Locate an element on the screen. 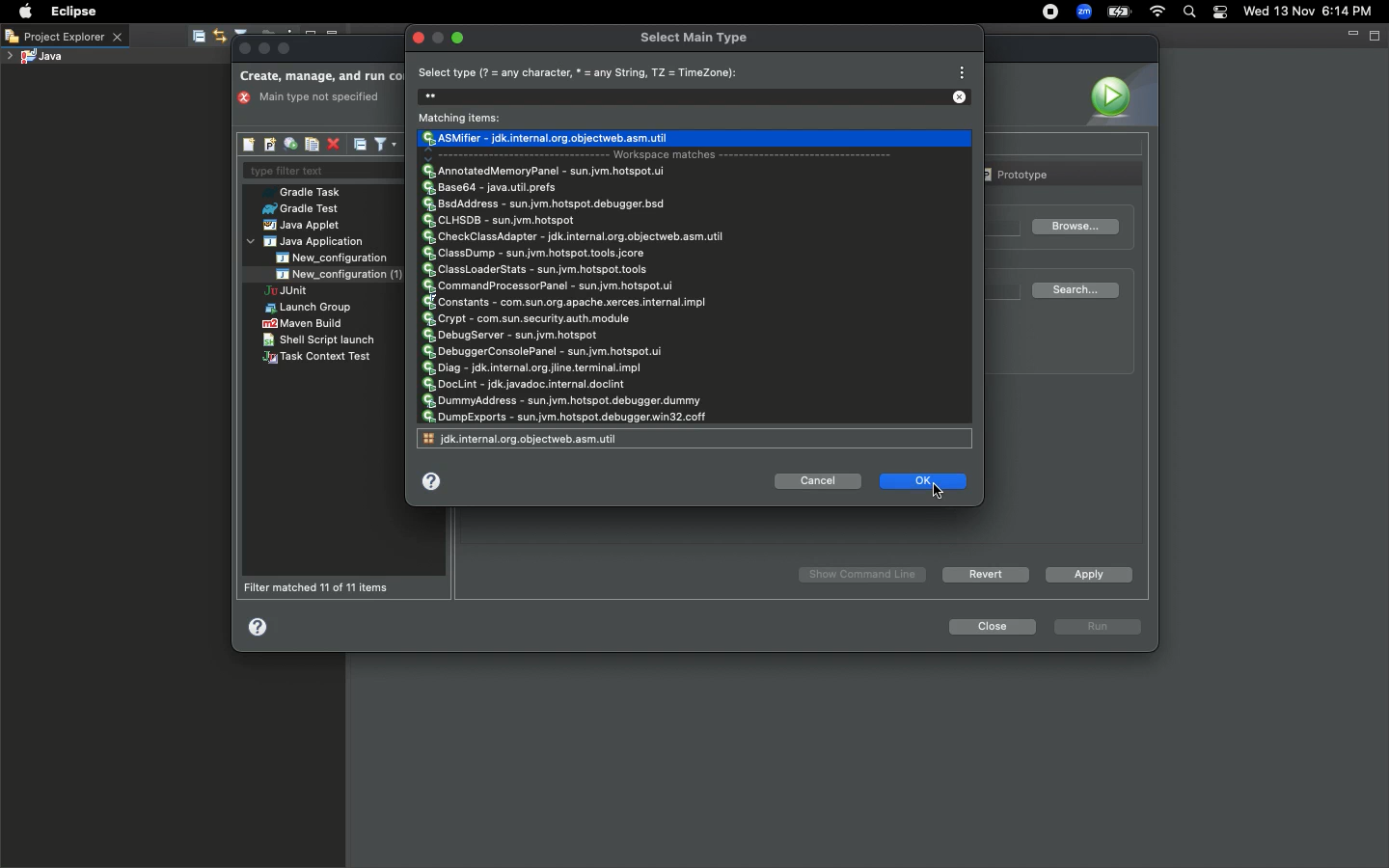 Image resolution: width=1389 pixels, height=868 pixels. Crypt - com.sun.security.auth.module is located at coordinates (528, 317).